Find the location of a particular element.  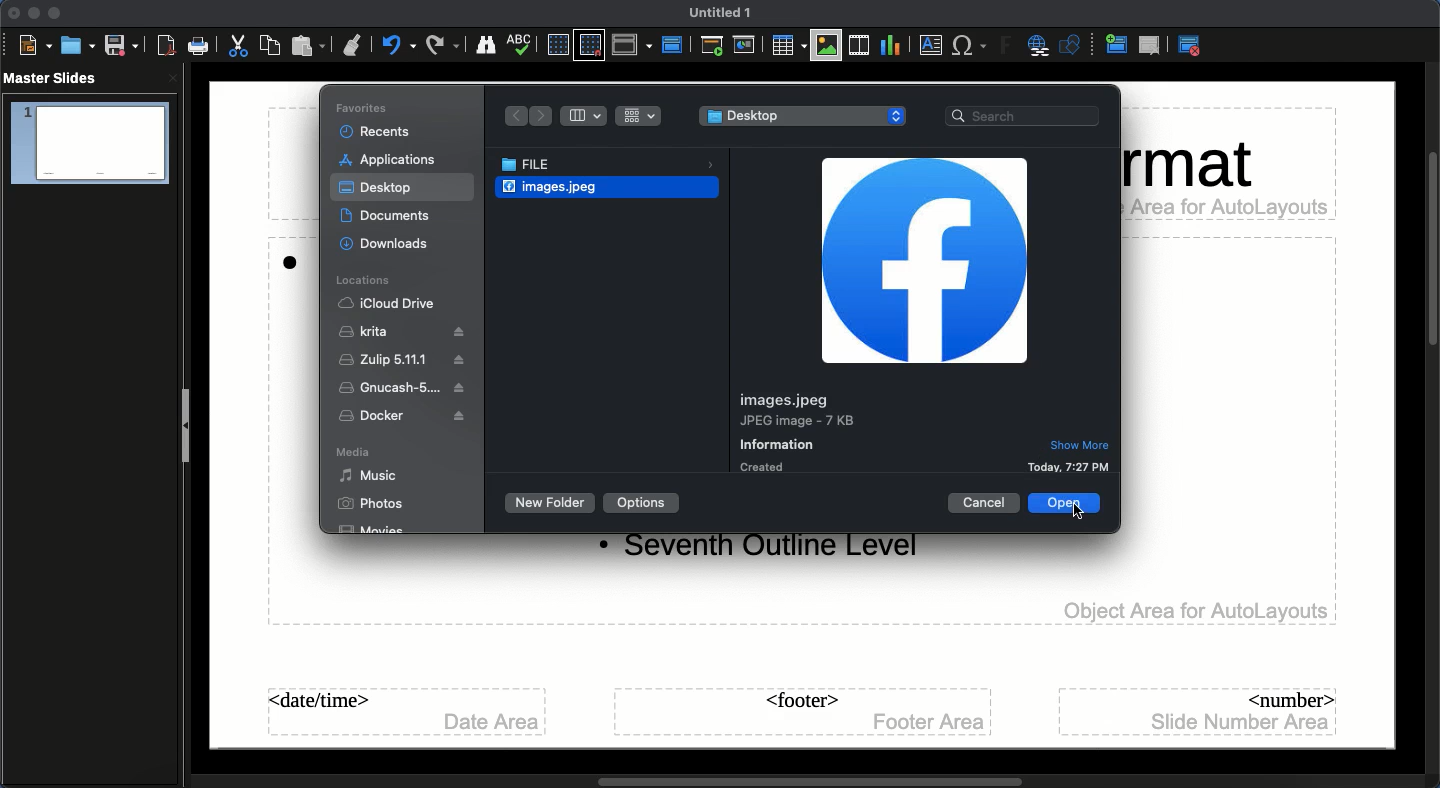

Zulip is located at coordinates (406, 362).